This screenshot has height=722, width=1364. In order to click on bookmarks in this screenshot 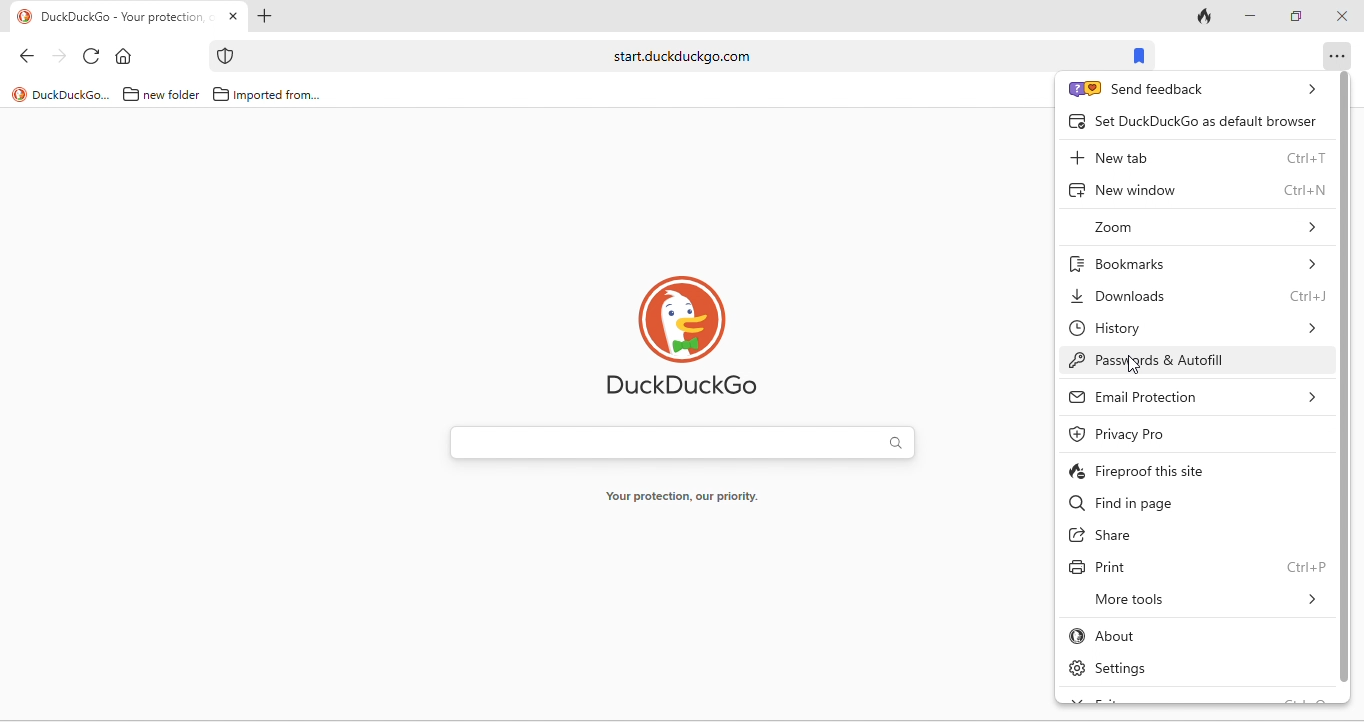, I will do `click(1141, 58)`.